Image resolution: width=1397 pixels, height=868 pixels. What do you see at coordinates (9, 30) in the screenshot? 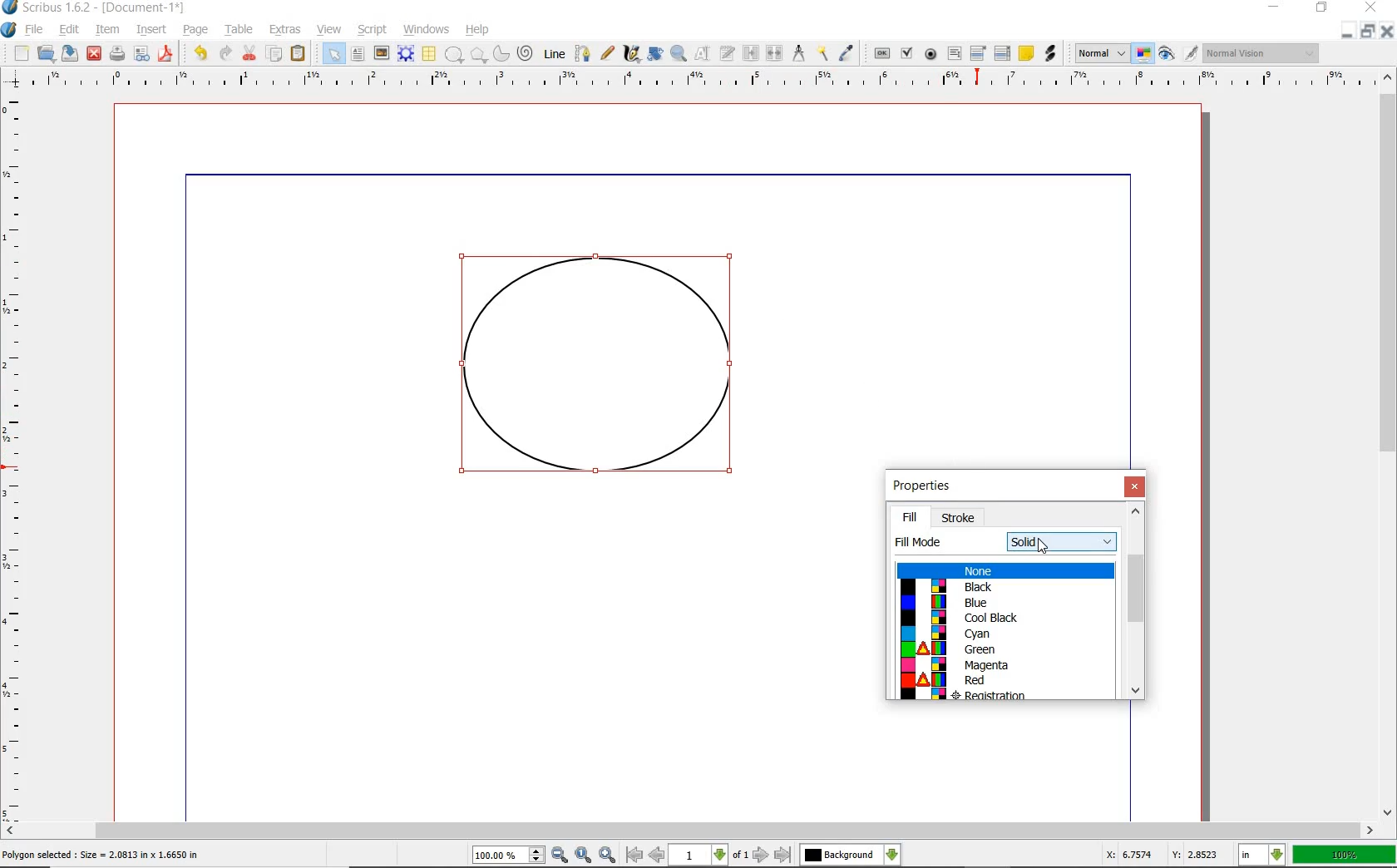
I see `SYSTEM LOGO` at bounding box center [9, 30].